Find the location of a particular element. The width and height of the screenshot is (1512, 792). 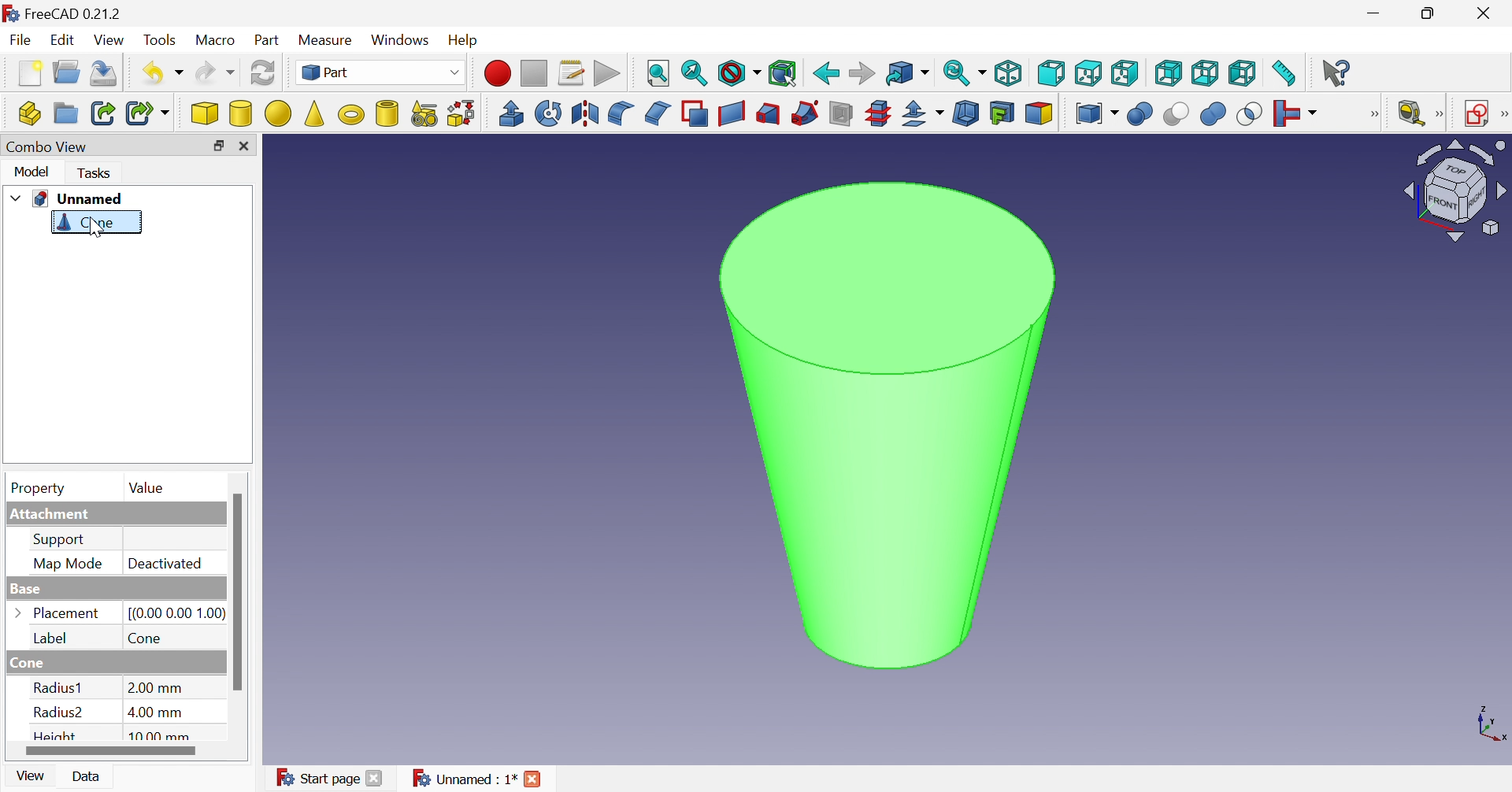

Data is located at coordinates (89, 778).